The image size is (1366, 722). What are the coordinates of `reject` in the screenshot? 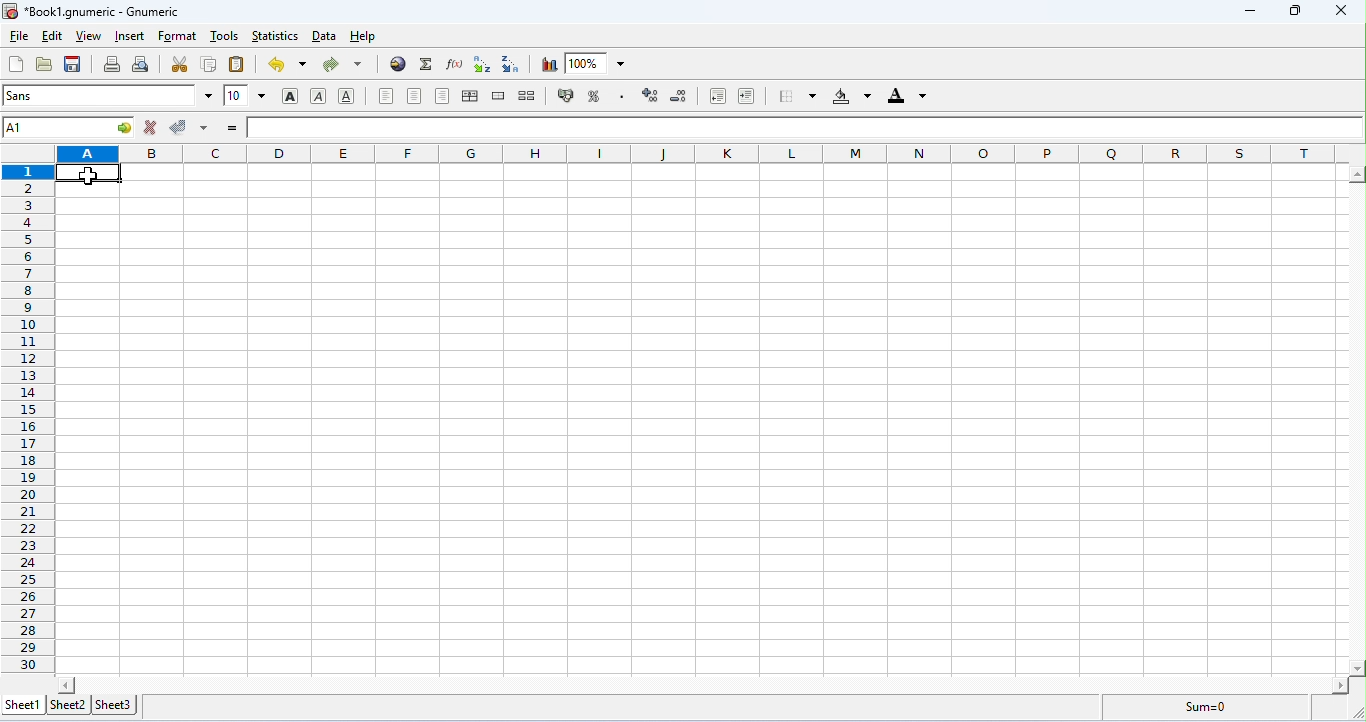 It's located at (151, 128).